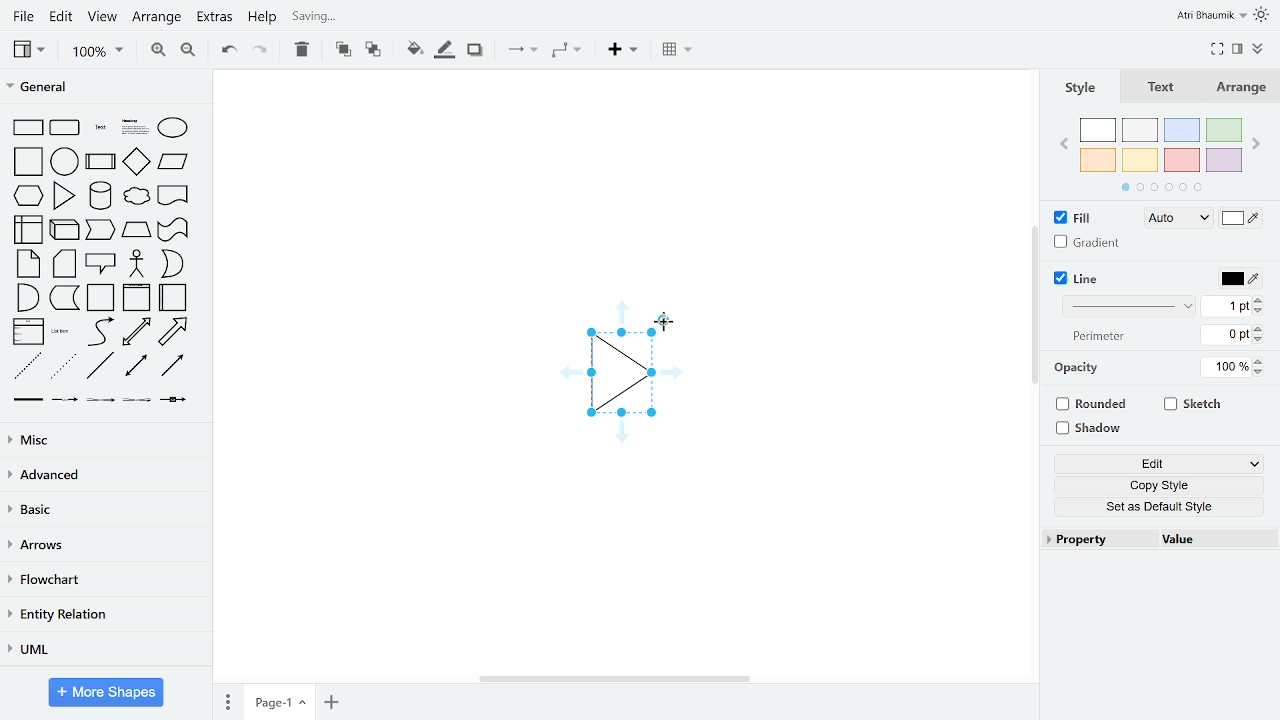 This screenshot has height=720, width=1280. I want to click on appearence, so click(1263, 15).